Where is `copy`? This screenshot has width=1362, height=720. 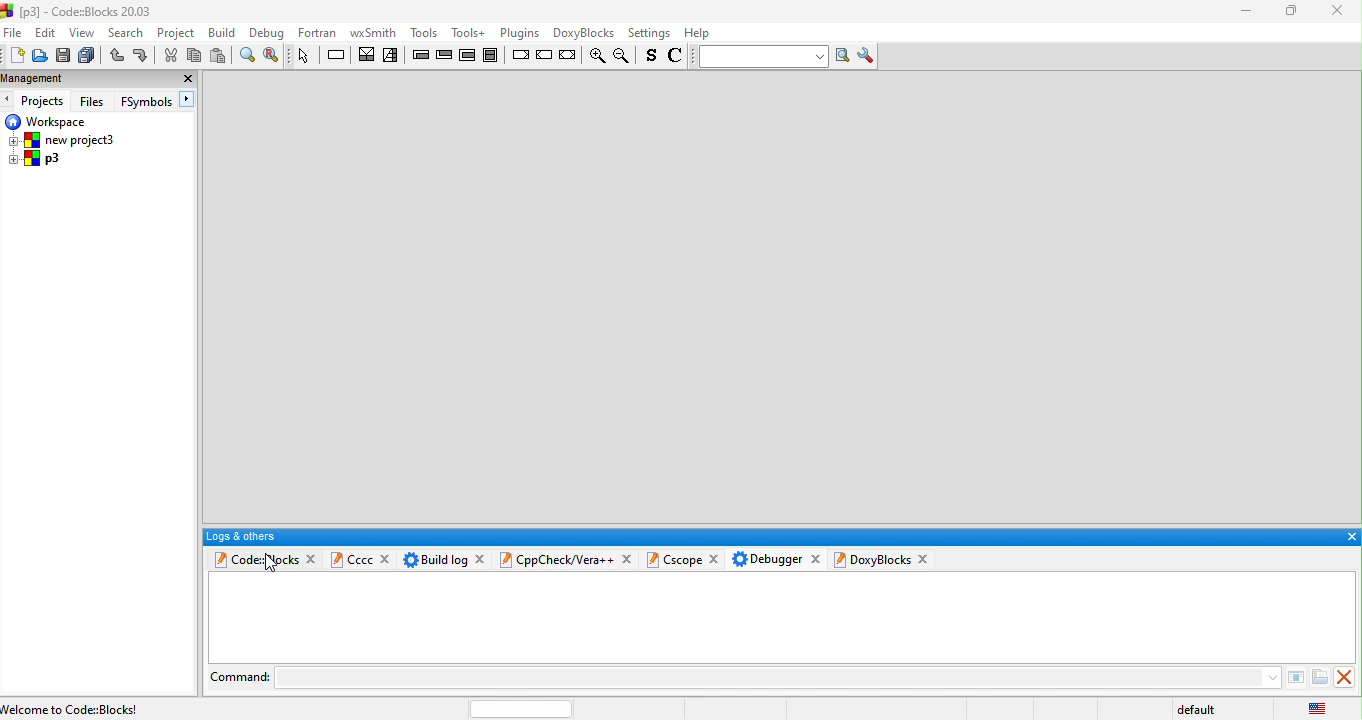
copy is located at coordinates (194, 56).